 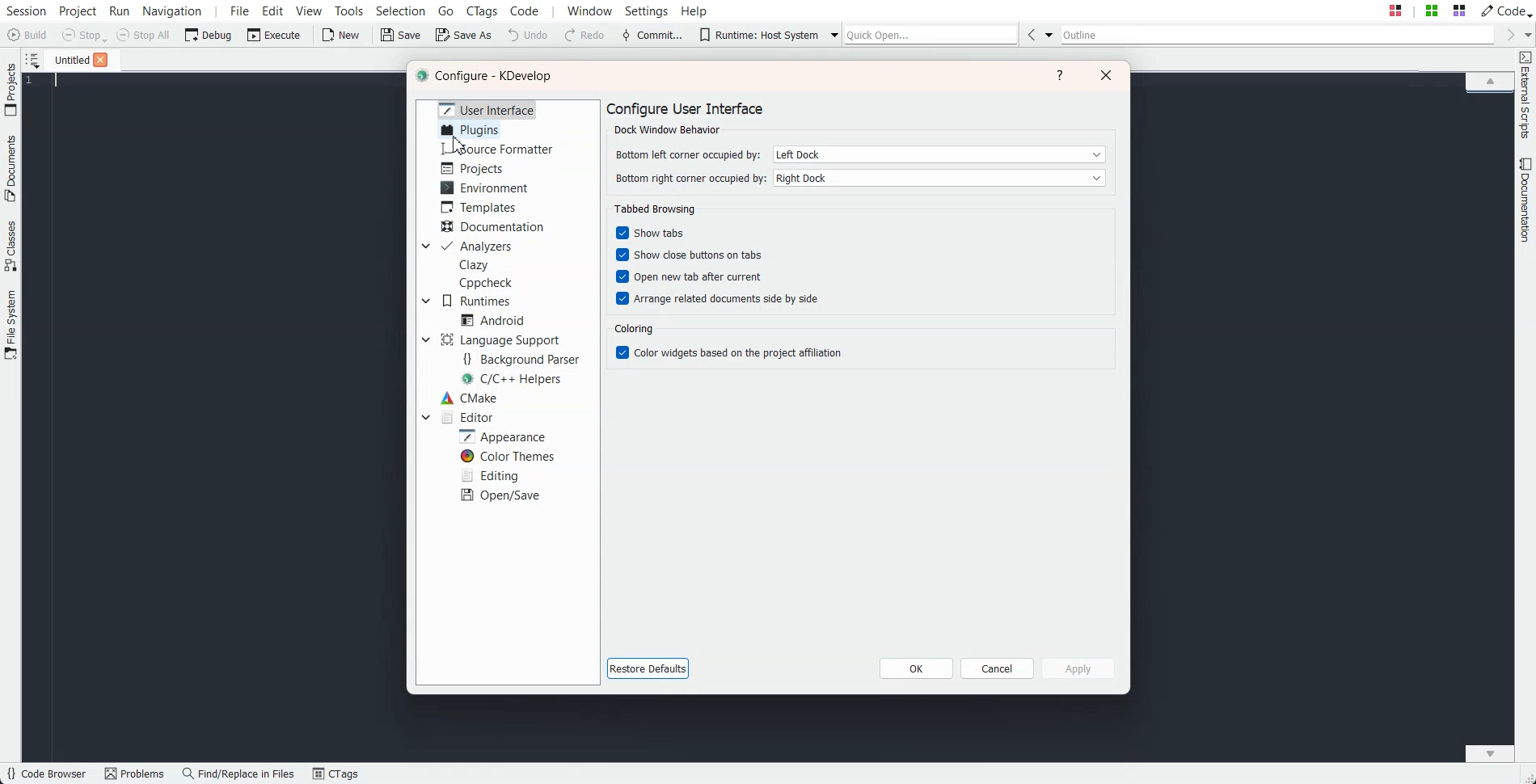 I want to click on Go forward, so click(x=1508, y=35).